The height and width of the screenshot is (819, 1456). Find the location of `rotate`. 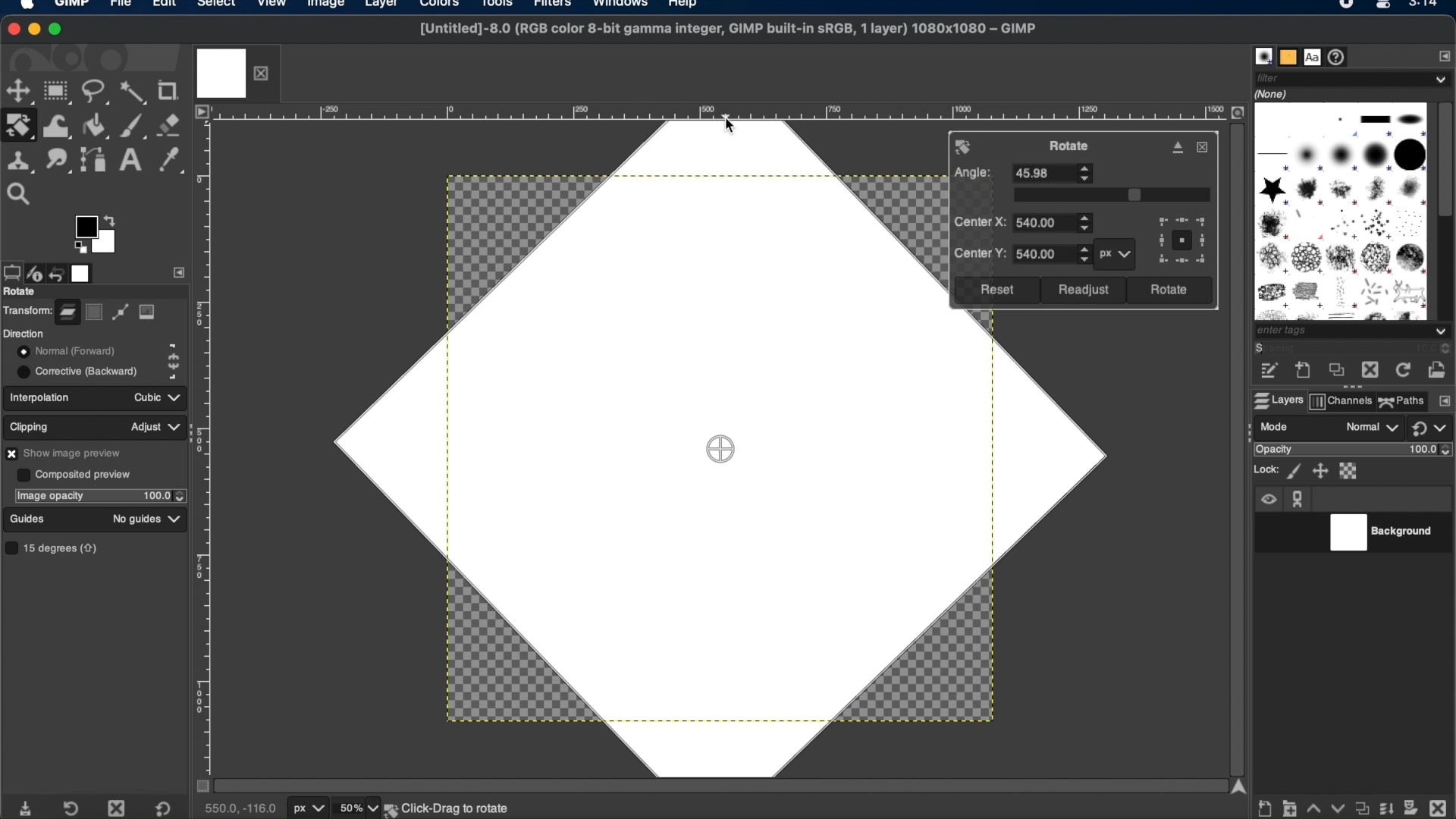

rotate is located at coordinates (1169, 290).